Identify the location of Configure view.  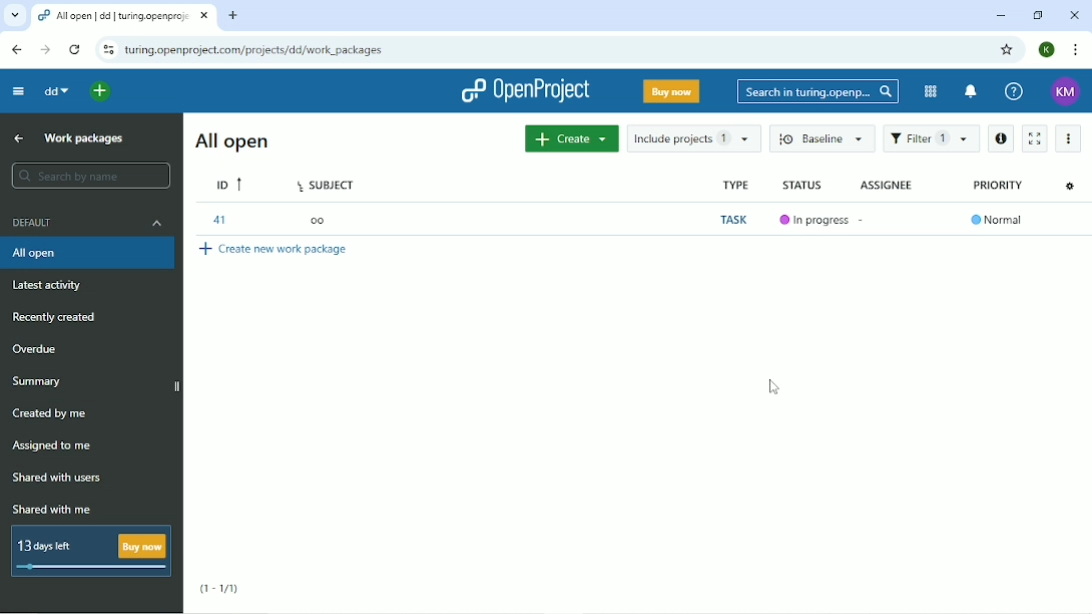
(1069, 186).